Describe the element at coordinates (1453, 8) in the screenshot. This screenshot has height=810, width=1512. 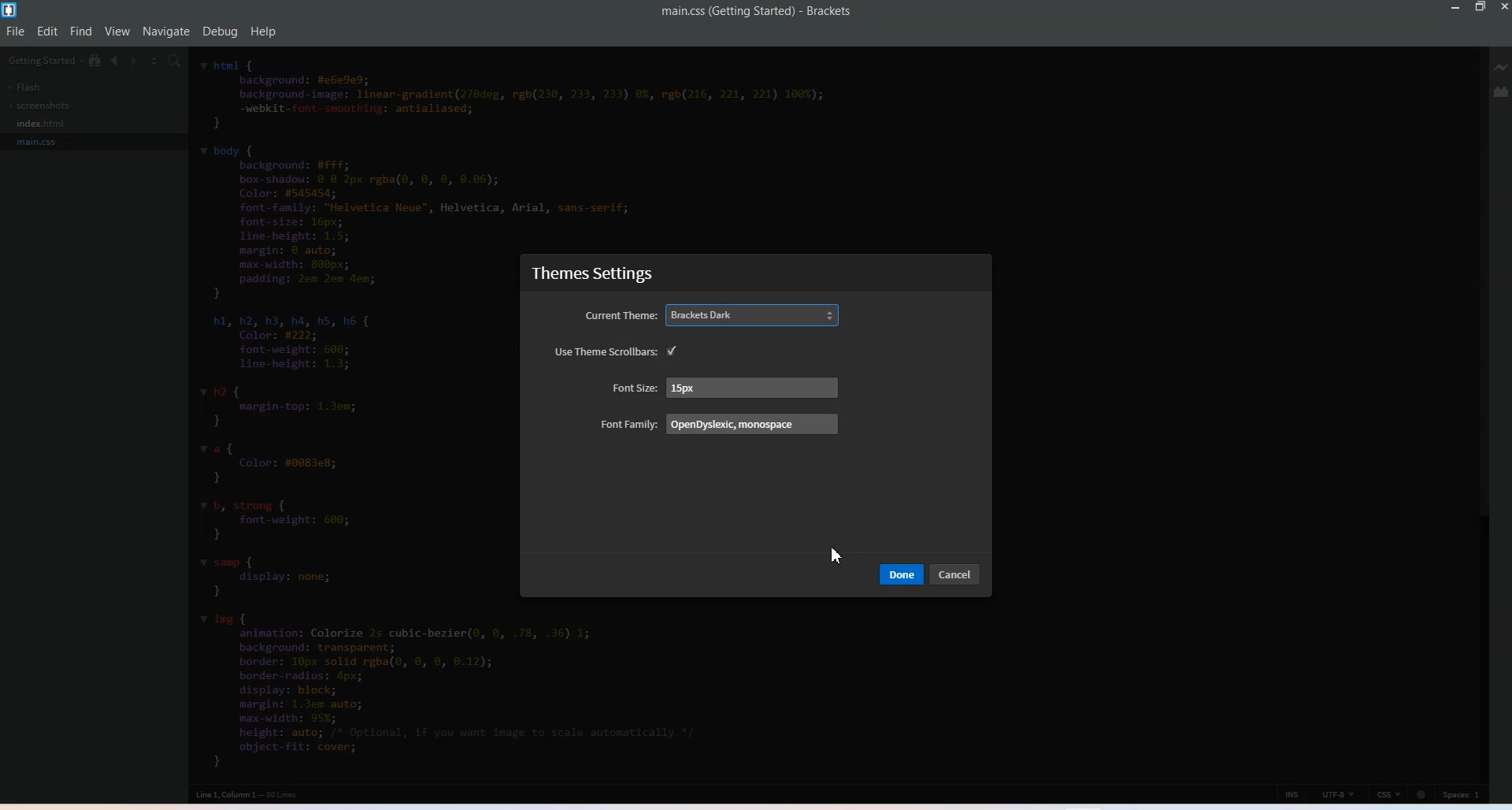
I see `Minimize` at that location.